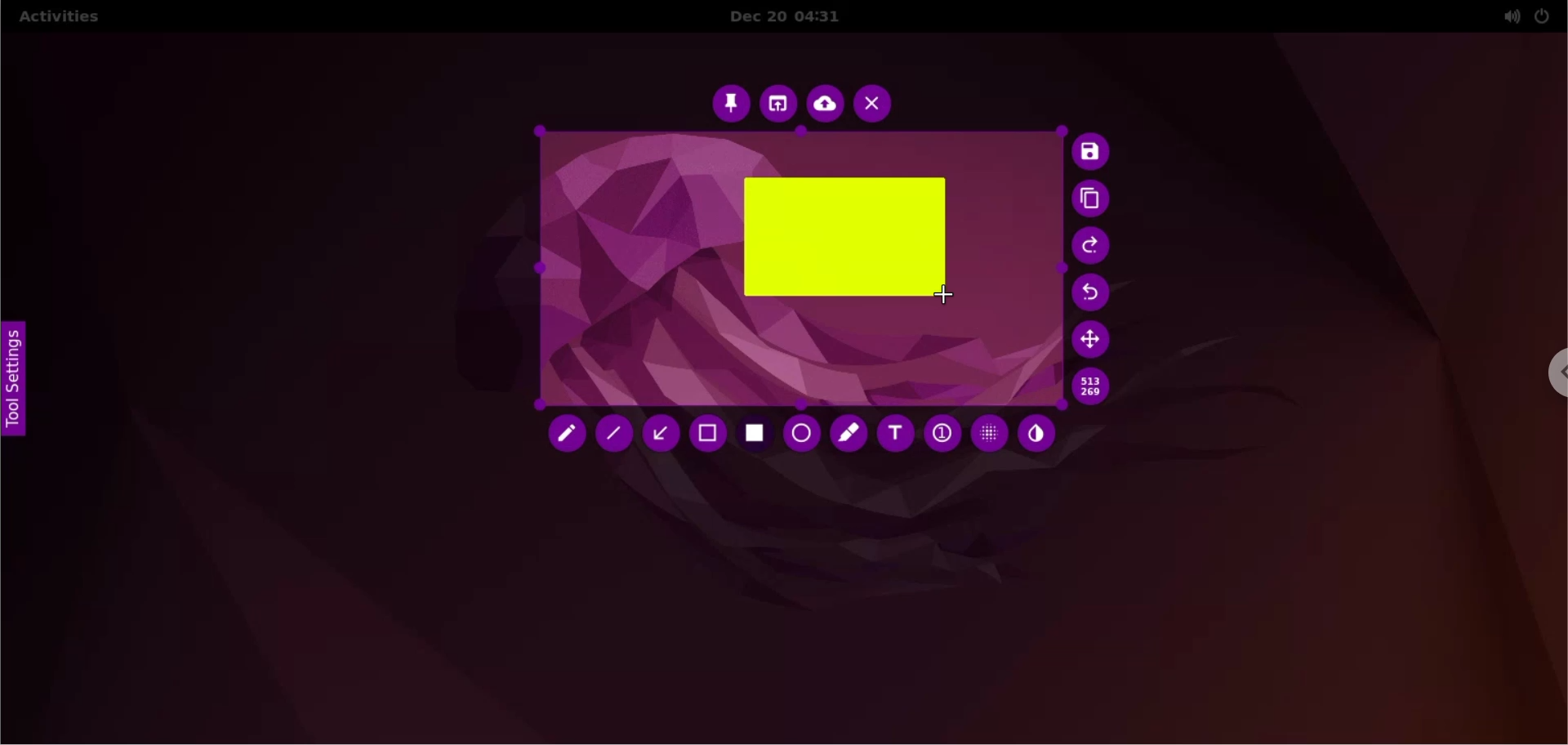  What do you see at coordinates (1091, 247) in the screenshot?
I see `redo` at bounding box center [1091, 247].